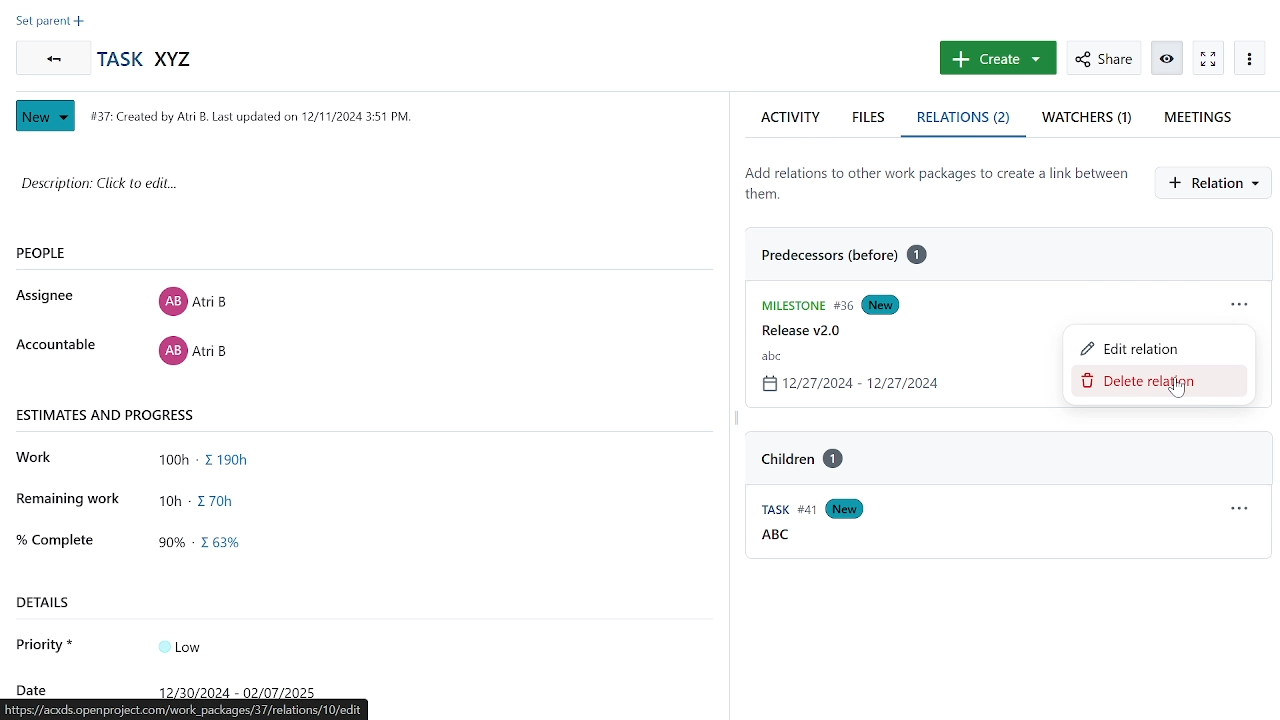 The height and width of the screenshot is (720, 1280). I want to click on date, so click(30, 688).